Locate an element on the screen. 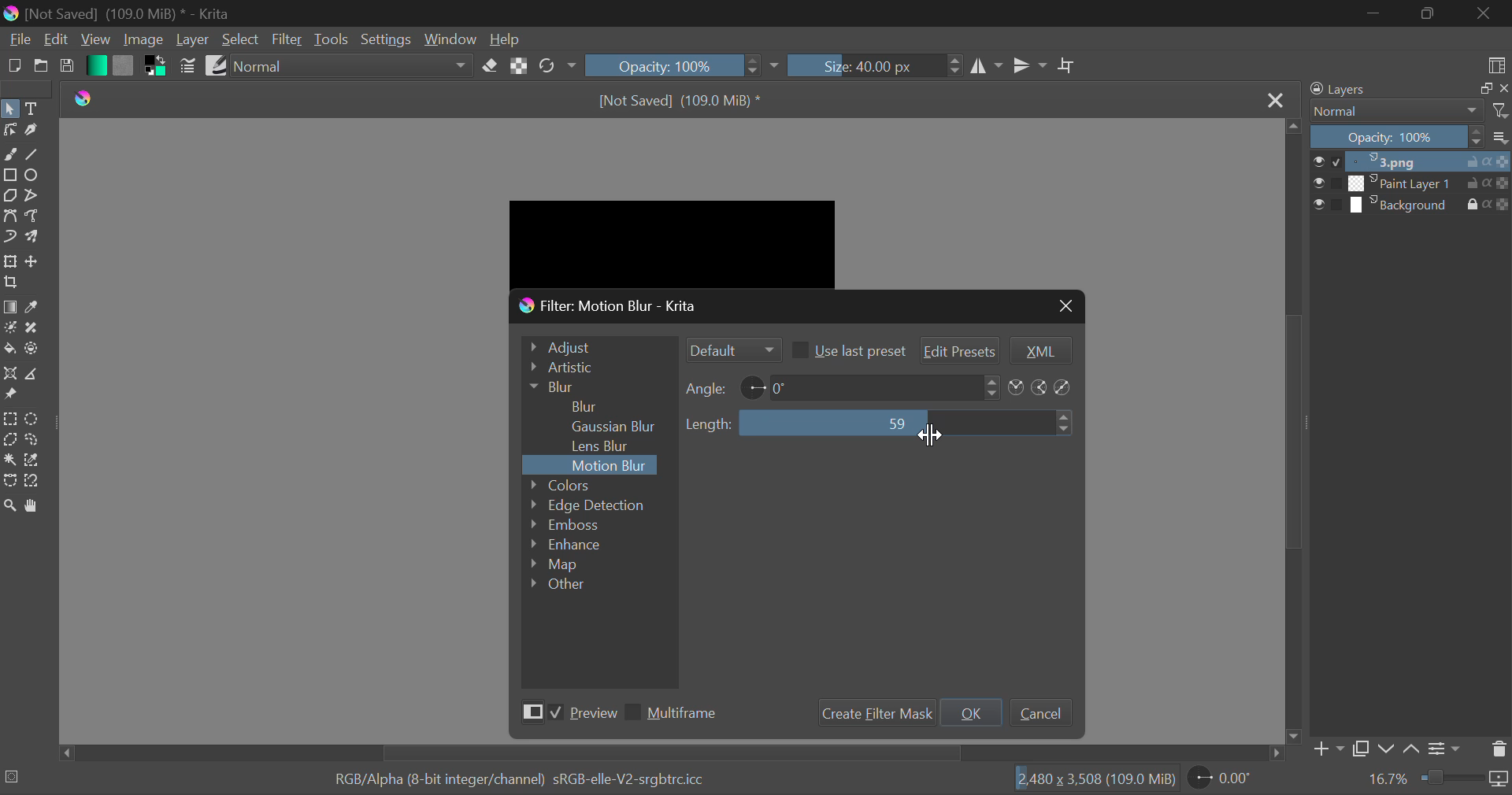 Image resolution: width=1512 pixels, height=795 pixels. Artistic is located at coordinates (595, 368).